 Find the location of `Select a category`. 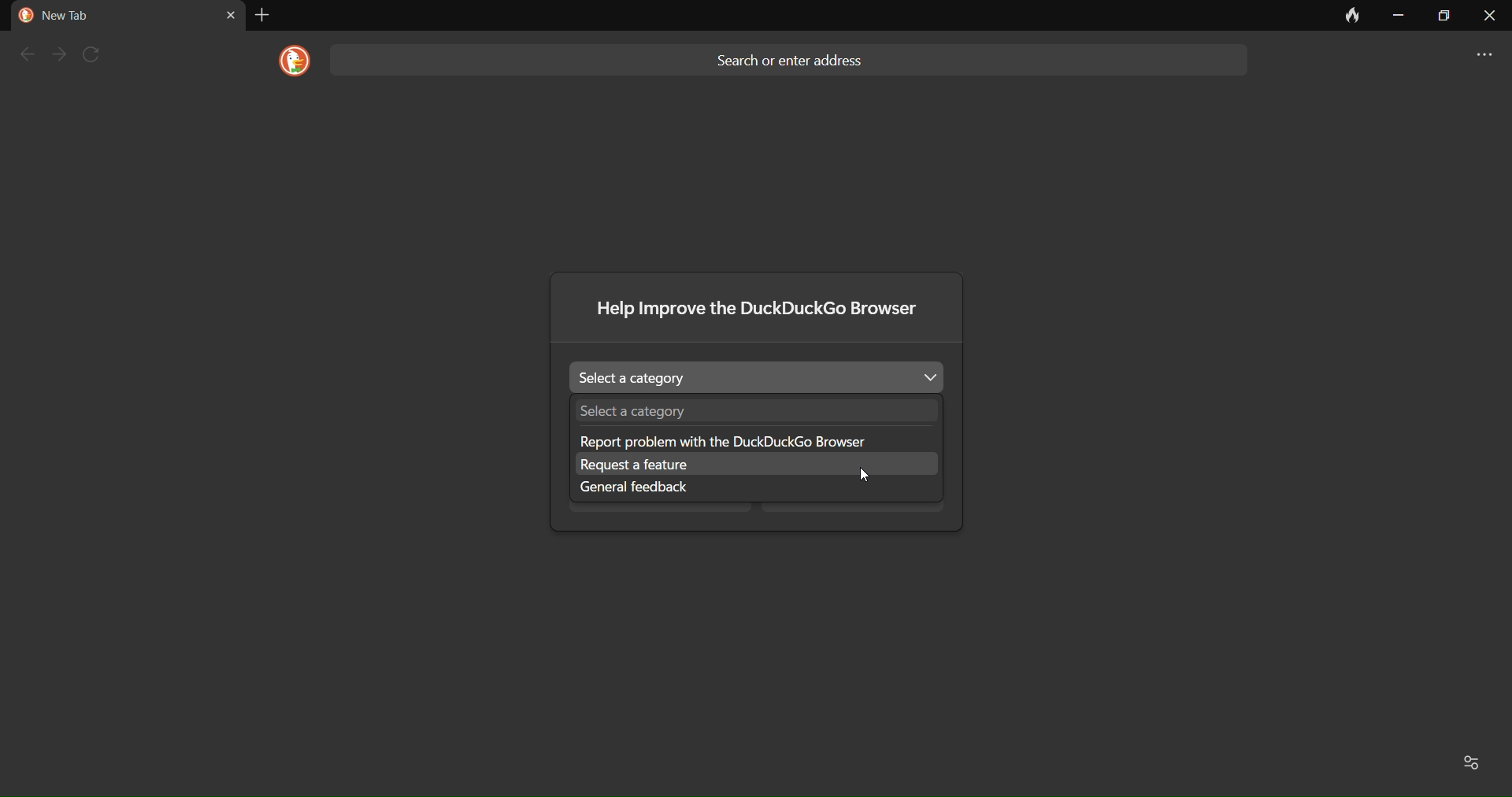

Select a category is located at coordinates (759, 372).